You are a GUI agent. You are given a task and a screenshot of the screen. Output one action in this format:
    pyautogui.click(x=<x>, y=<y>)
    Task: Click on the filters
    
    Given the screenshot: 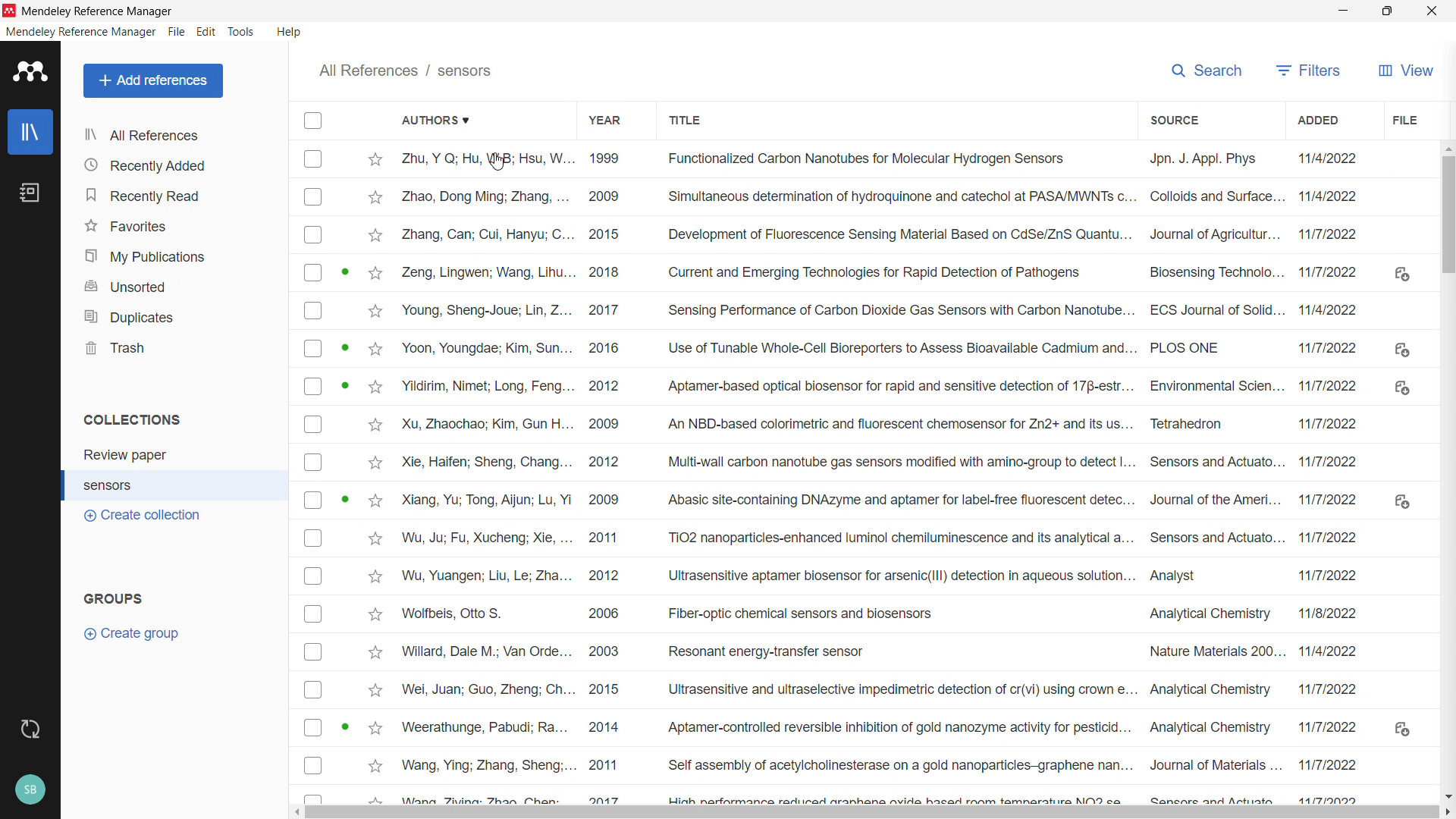 What is the action you would take?
    pyautogui.click(x=1307, y=70)
    